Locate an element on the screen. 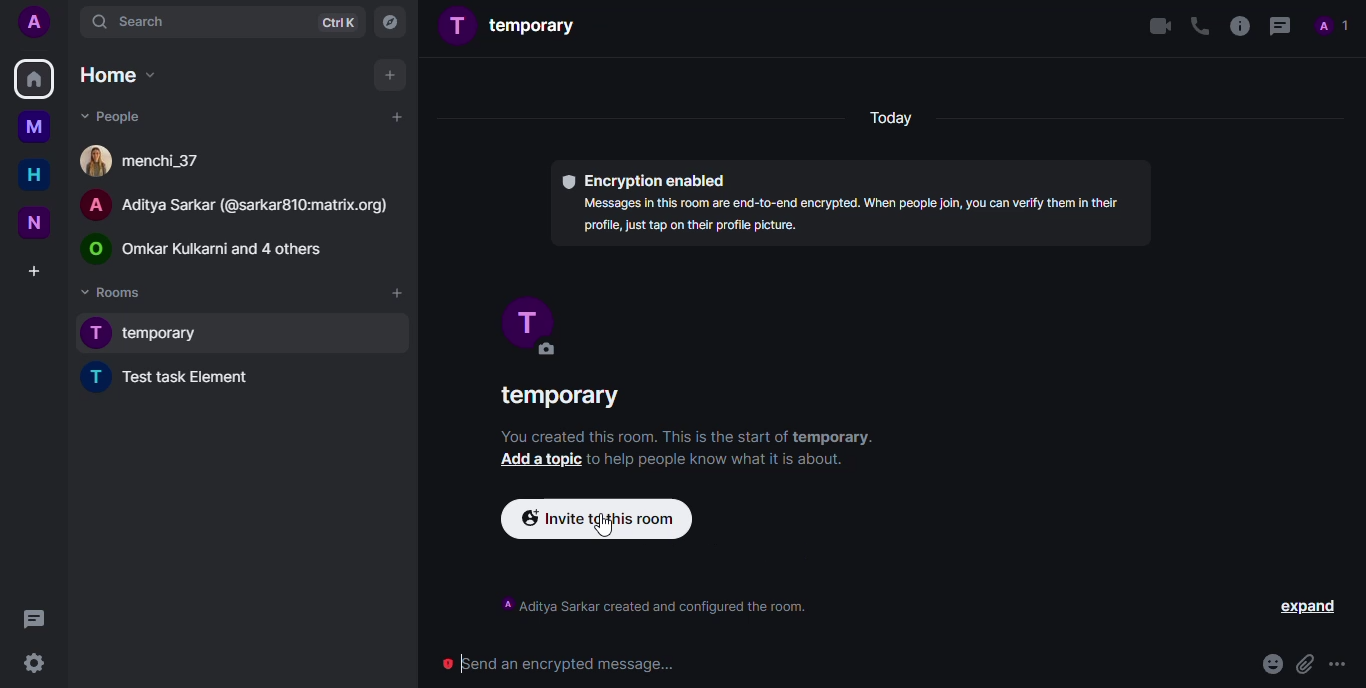 This screenshot has width=1366, height=688. add is located at coordinates (396, 293).